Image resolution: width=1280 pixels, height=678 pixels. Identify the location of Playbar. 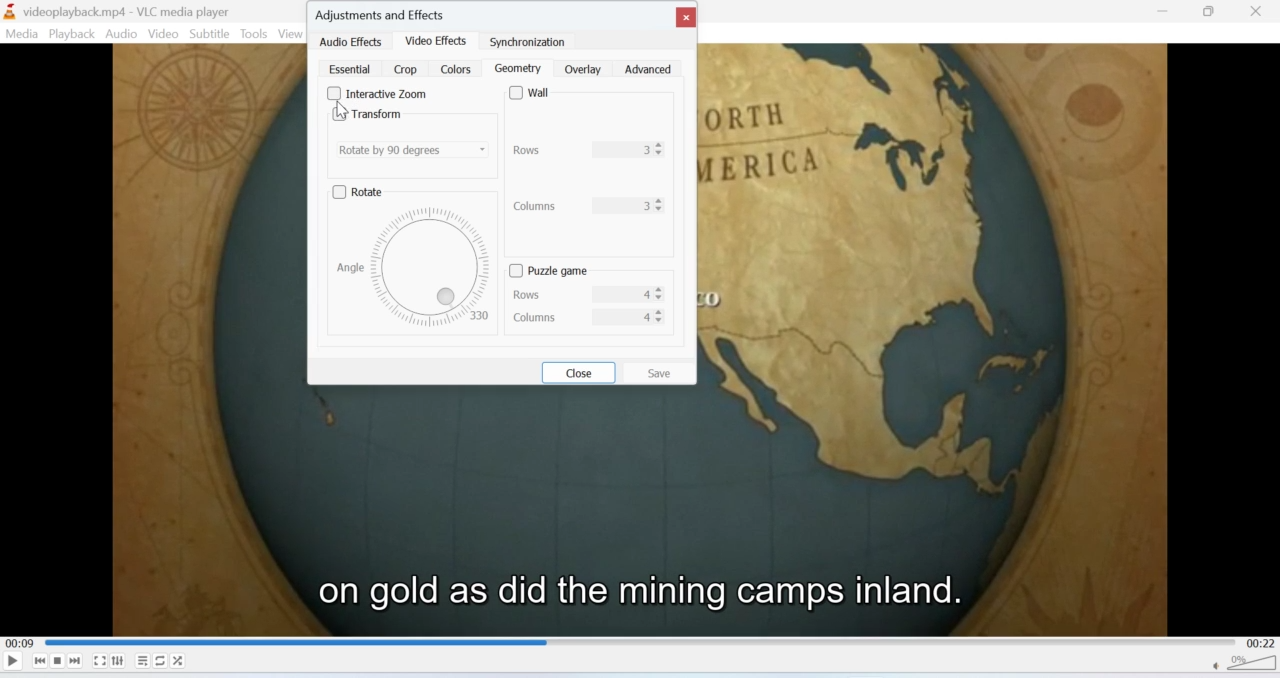
(642, 642).